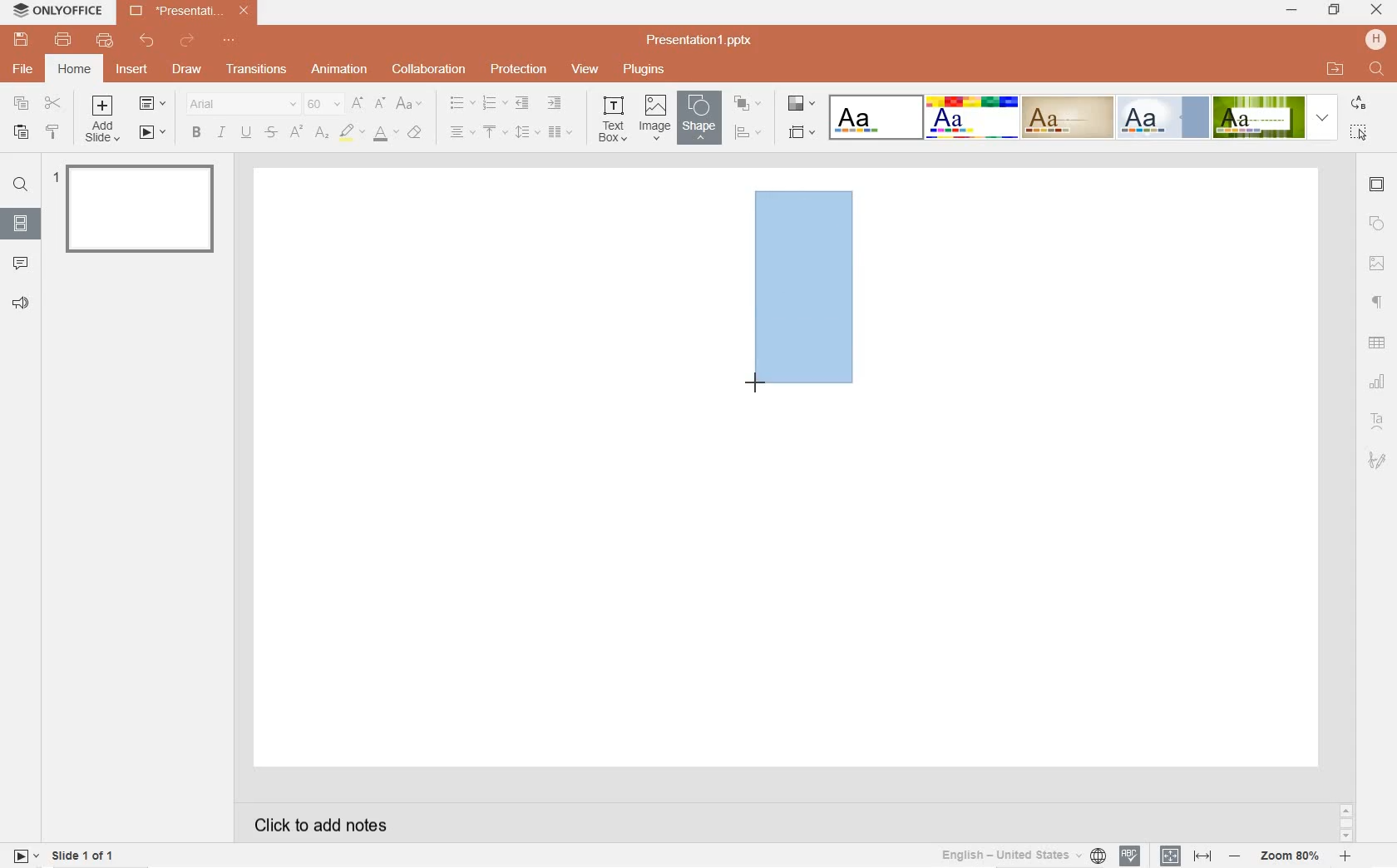 The width and height of the screenshot is (1397, 868). What do you see at coordinates (153, 105) in the screenshot?
I see `change slide layout` at bounding box center [153, 105].